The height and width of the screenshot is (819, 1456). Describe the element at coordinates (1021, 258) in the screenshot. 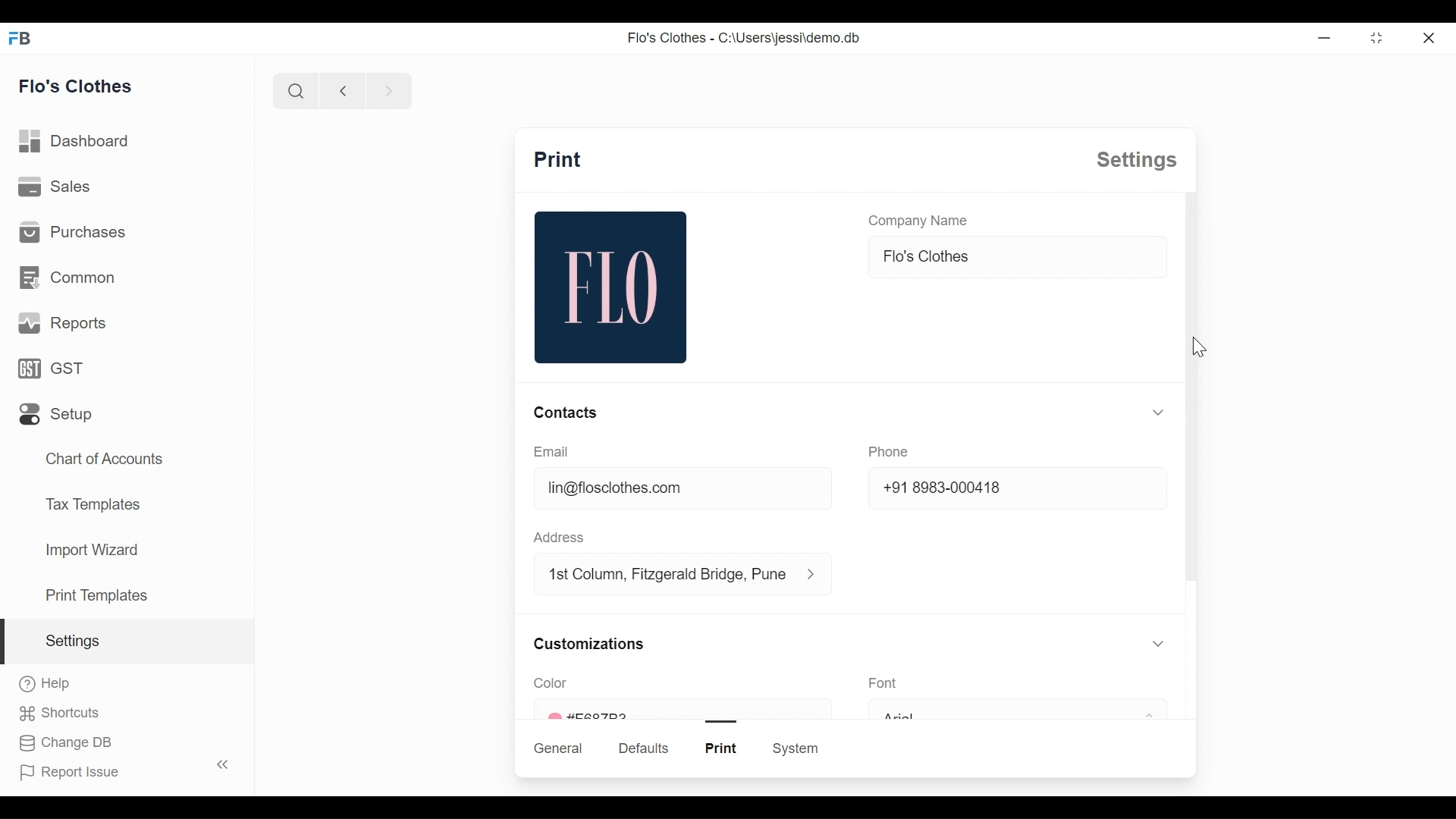

I see `flo's clothes` at that location.